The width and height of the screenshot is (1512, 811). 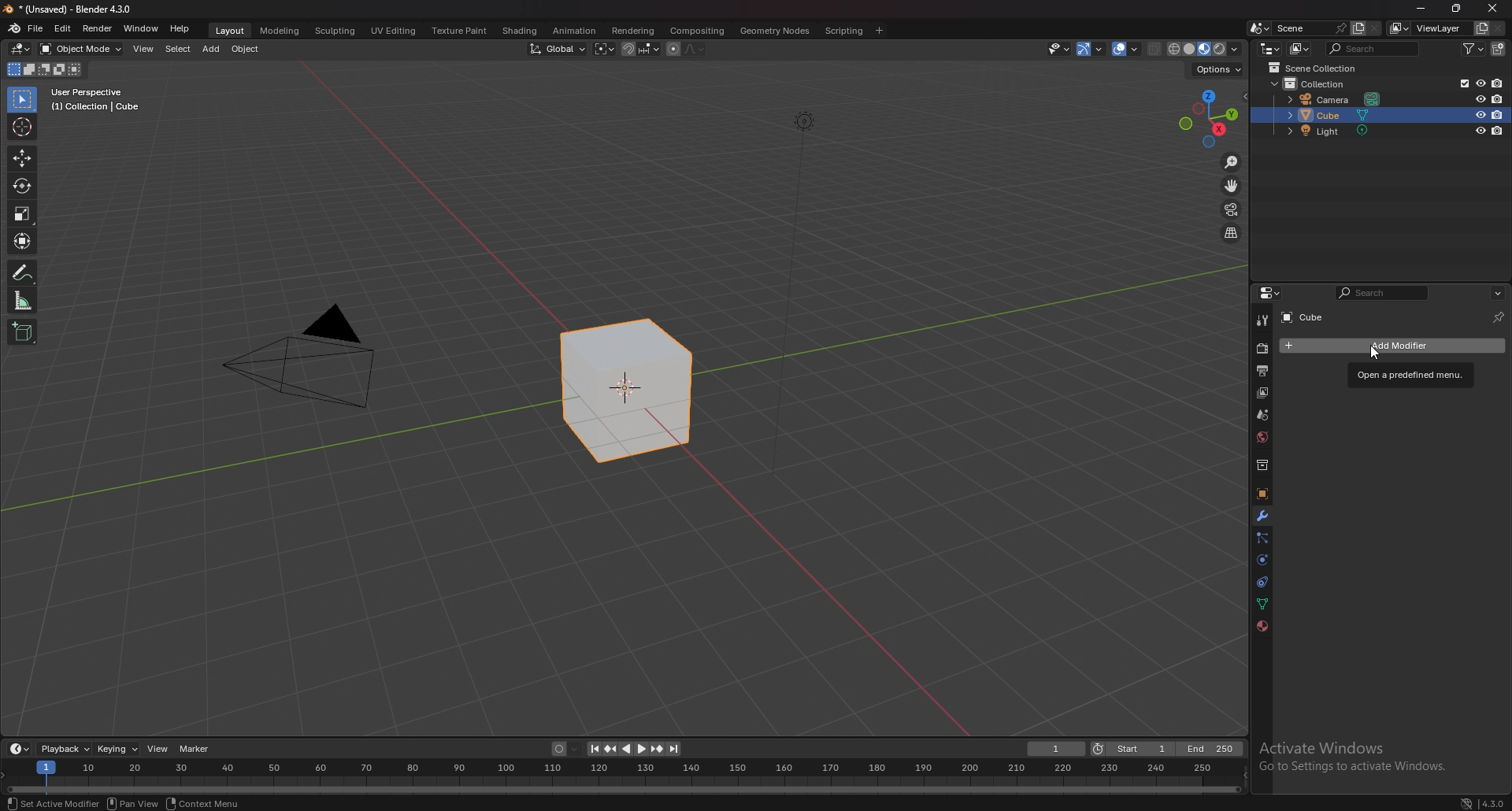 What do you see at coordinates (21, 186) in the screenshot?
I see `rotate` at bounding box center [21, 186].